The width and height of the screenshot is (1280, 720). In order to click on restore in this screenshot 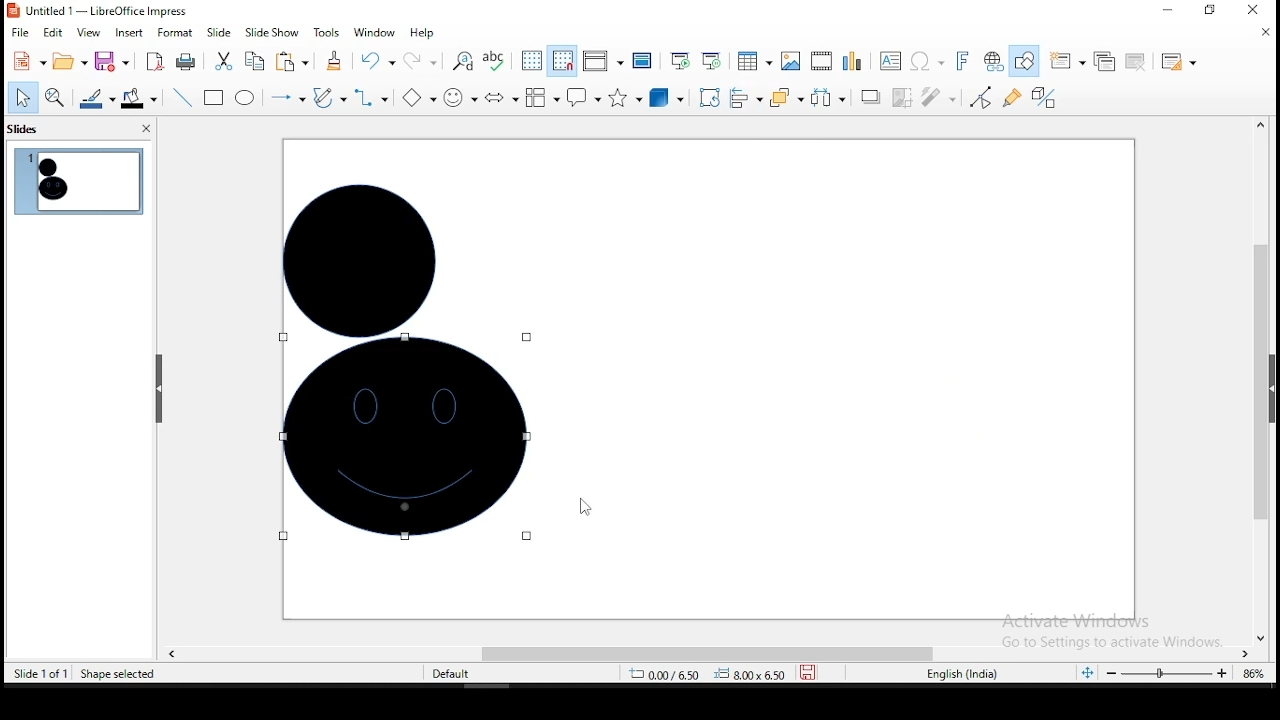, I will do `click(1209, 12)`.